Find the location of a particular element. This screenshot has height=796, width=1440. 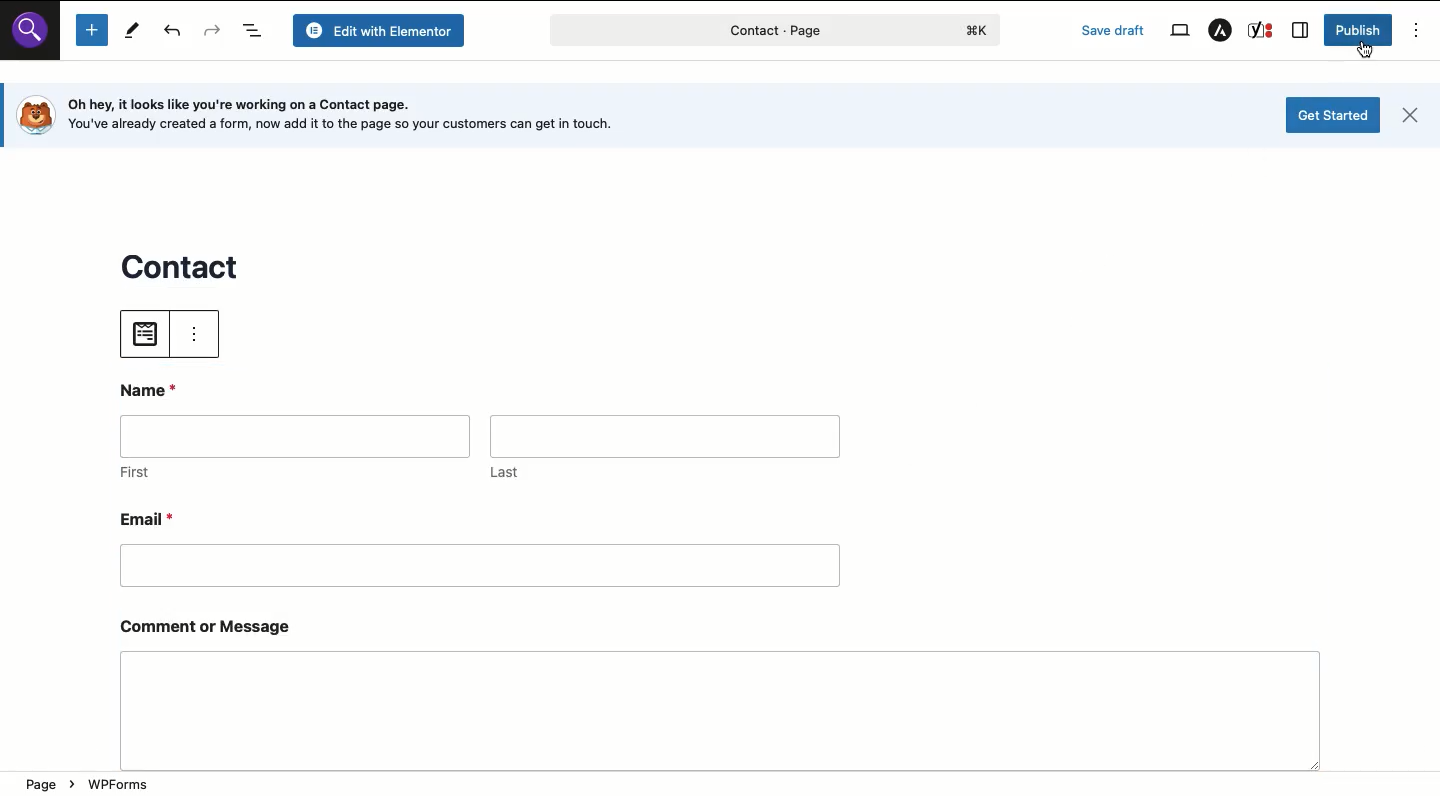

cursor is located at coordinates (1364, 44).